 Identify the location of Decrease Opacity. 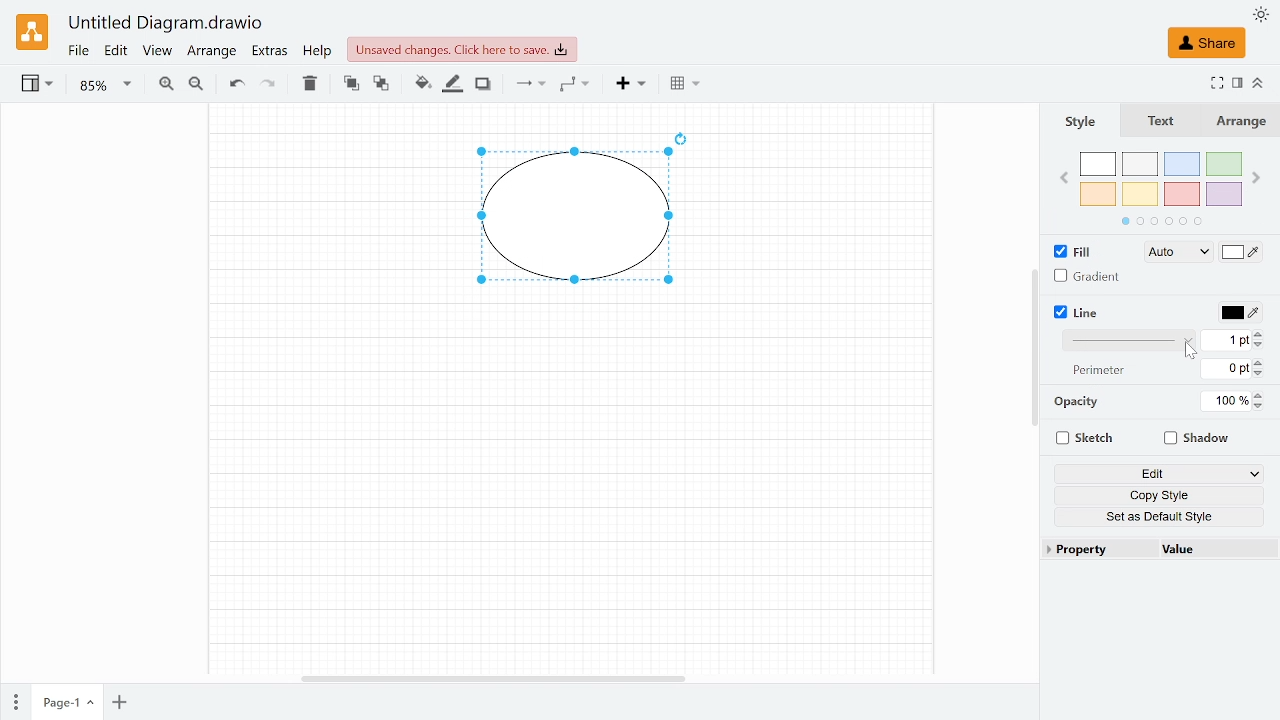
(1262, 408).